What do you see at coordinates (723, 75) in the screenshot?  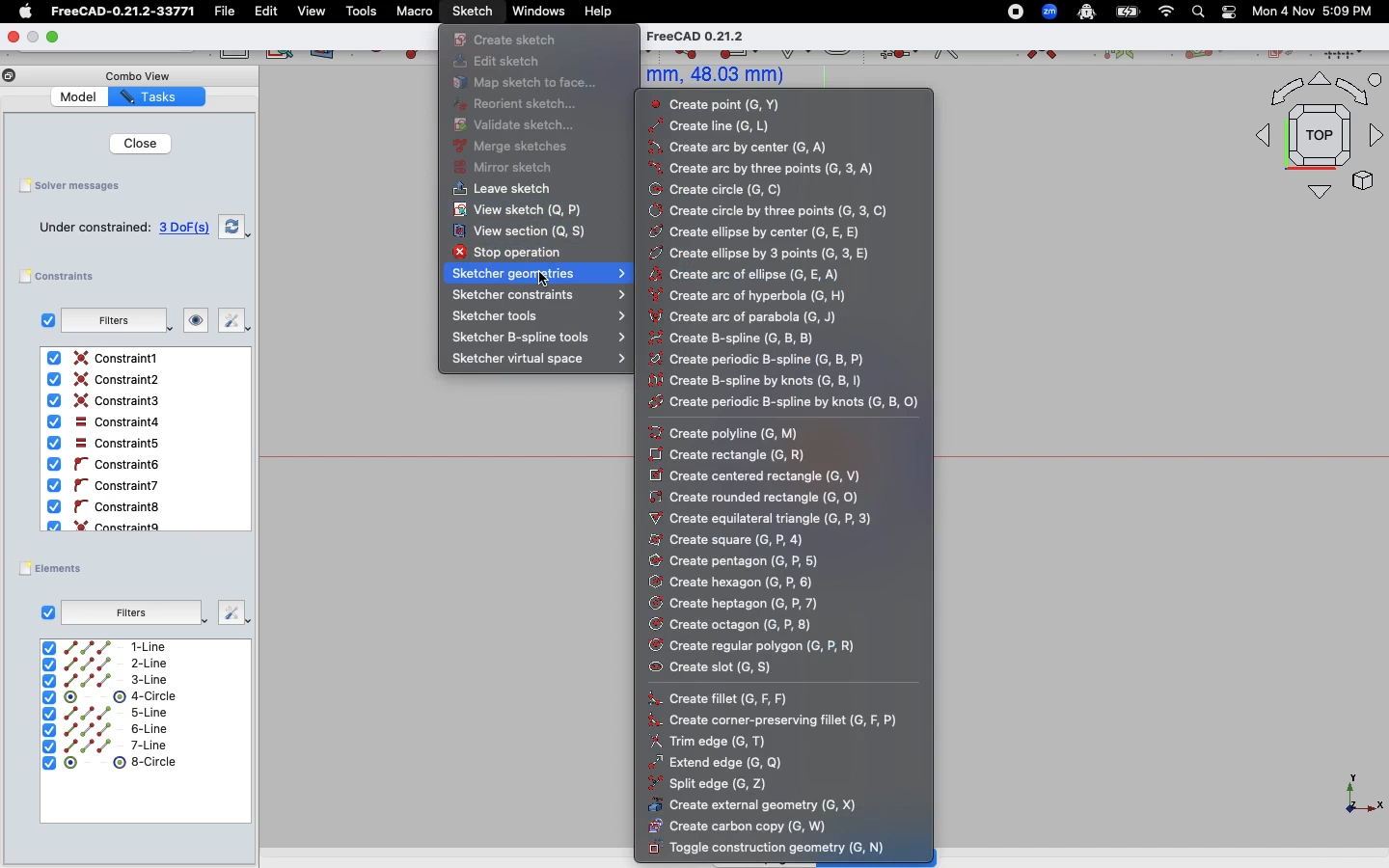 I see `mm, 48.03mm` at bounding box center [723, 75].